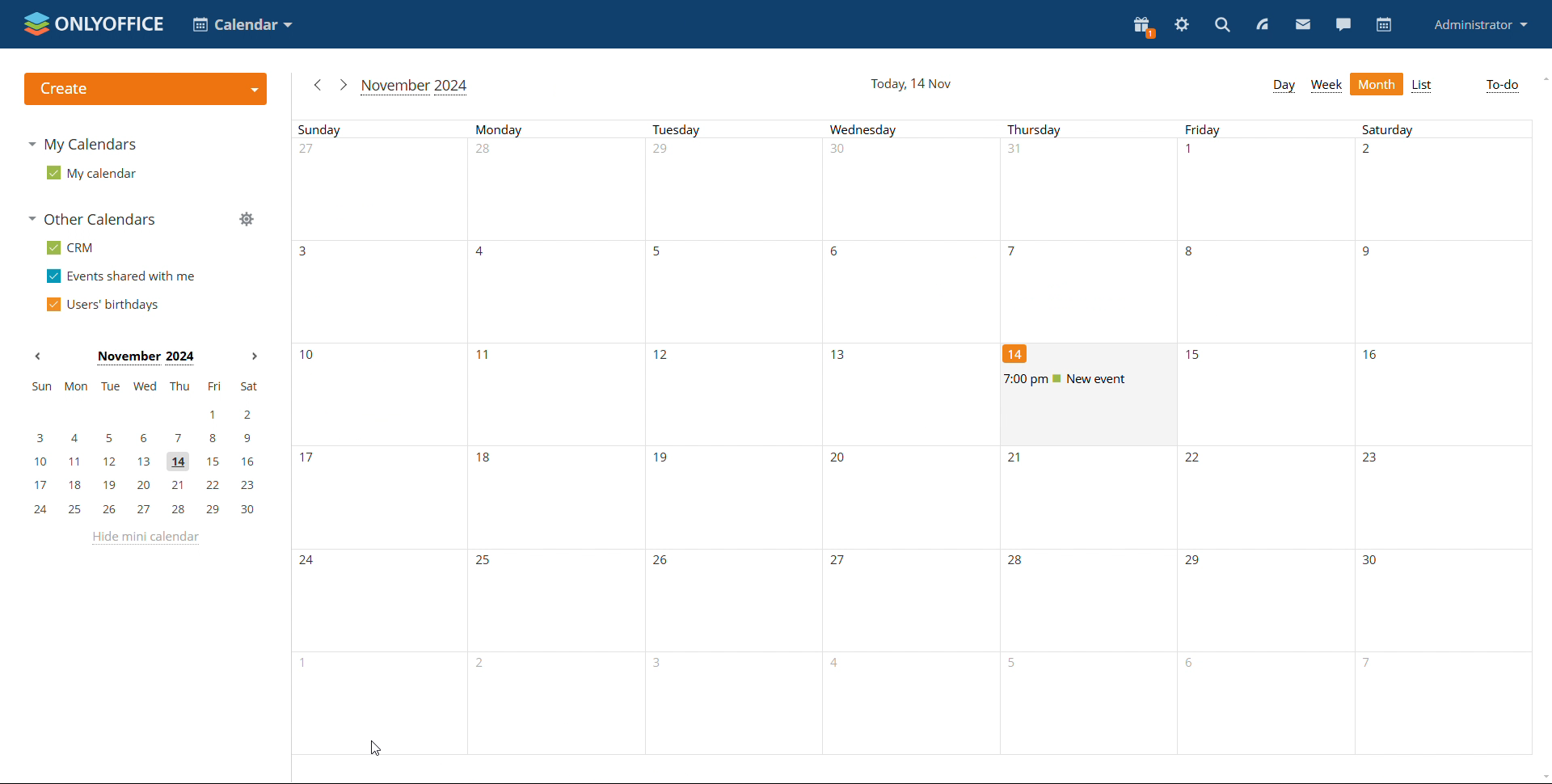  I want to click on number, so click(1019, 666).